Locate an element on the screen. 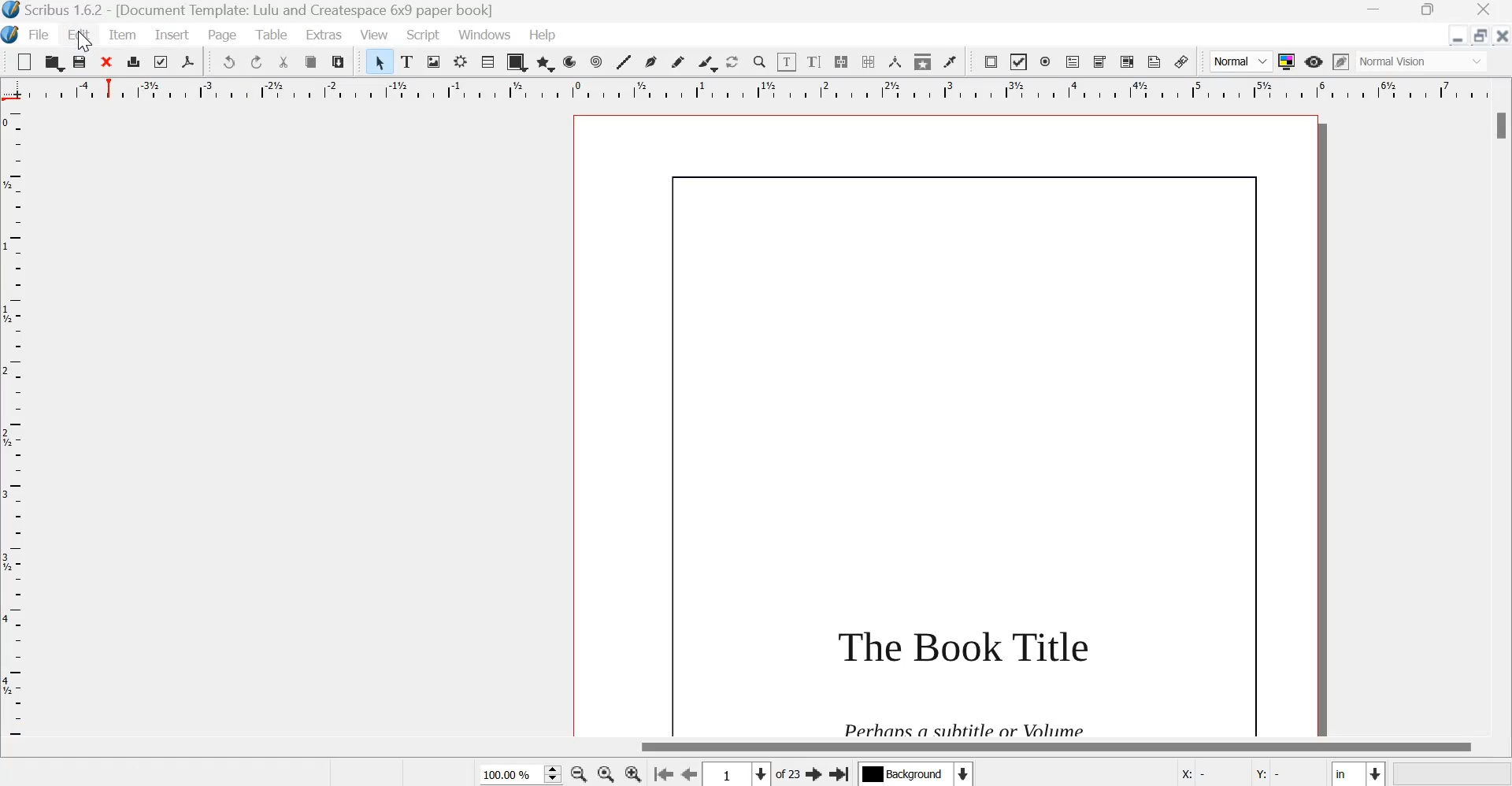  PDF push button is located at coordinates (989, 61).